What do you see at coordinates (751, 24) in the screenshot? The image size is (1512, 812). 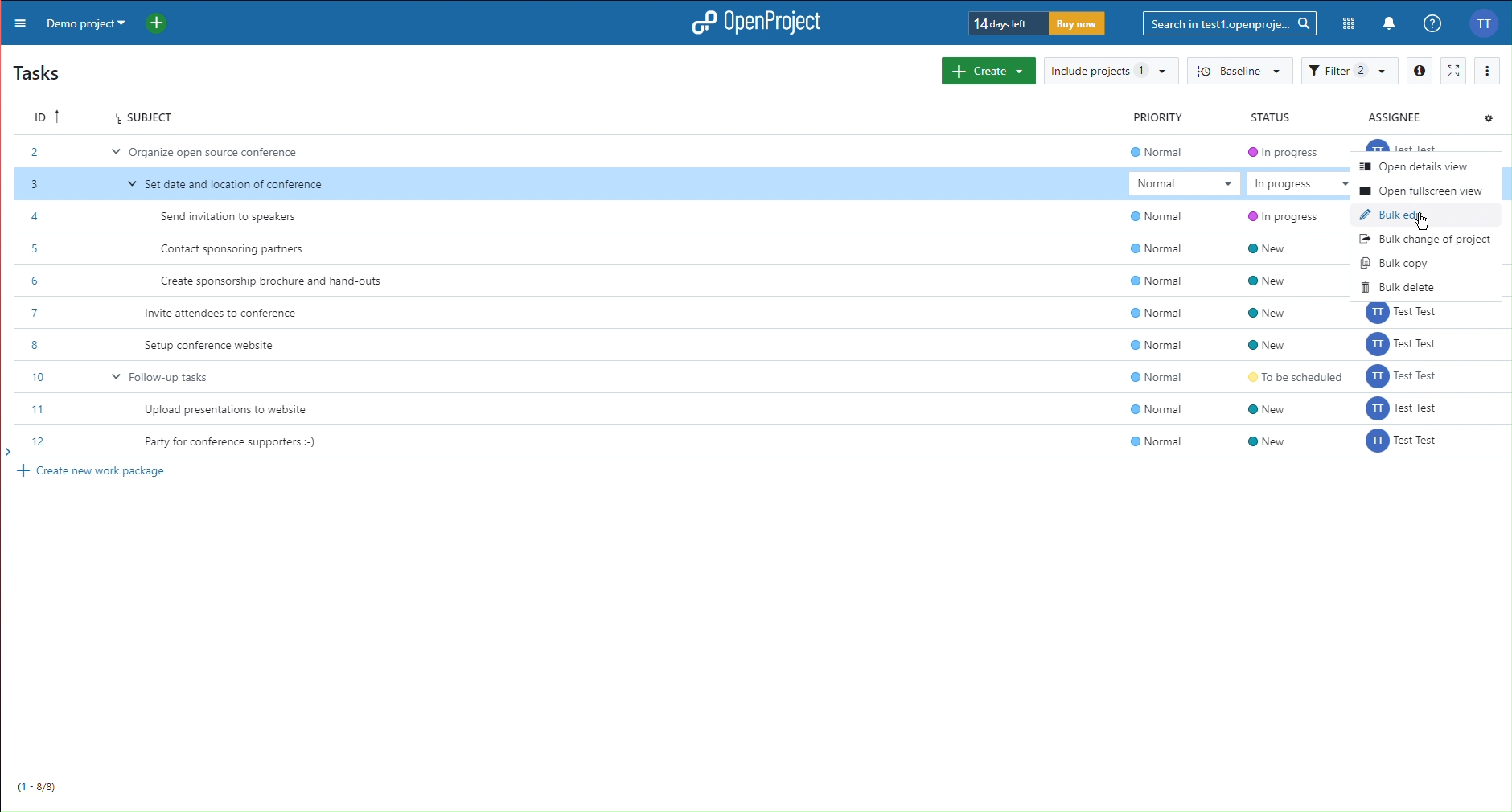 I see `OpenProject` at bounding box center [751, 24].